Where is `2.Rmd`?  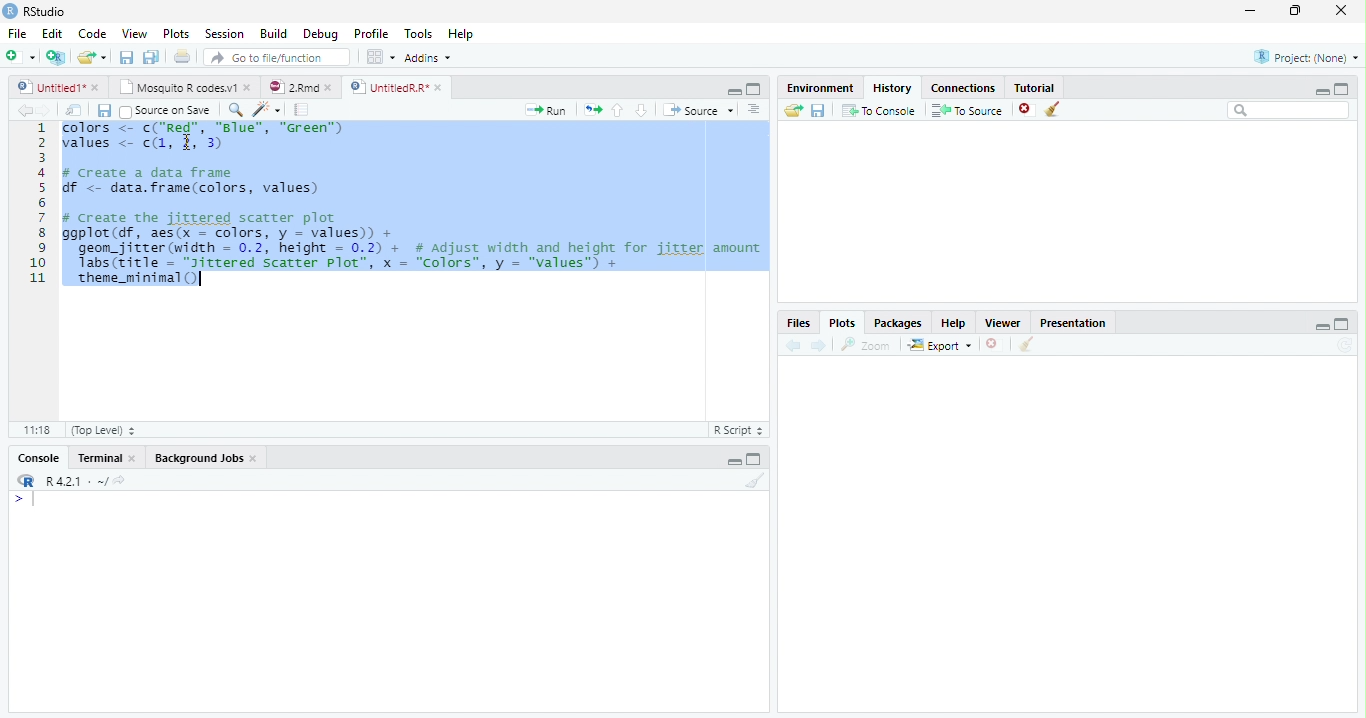 2.Rmd is located at coordinates (291, 87).